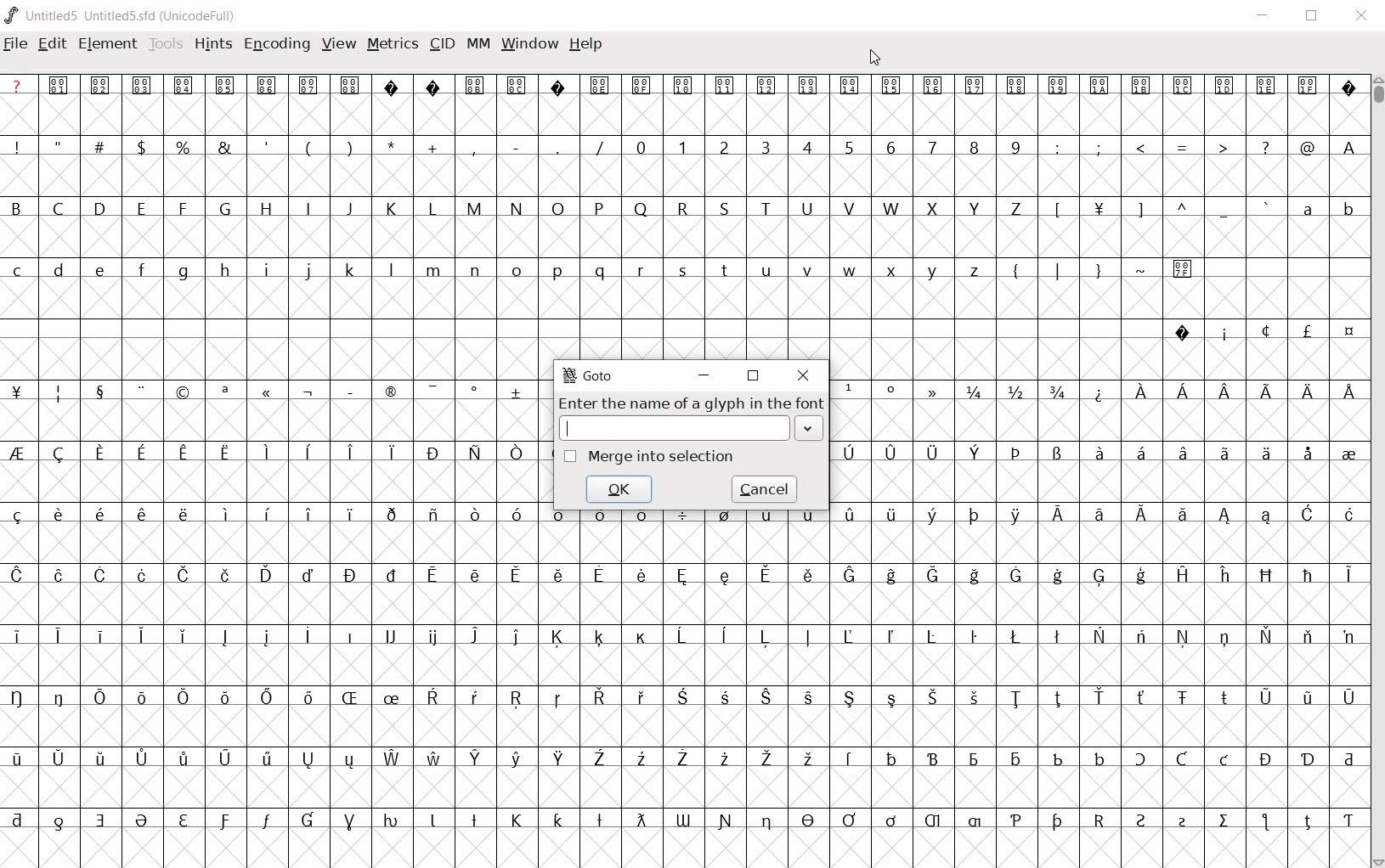 This screenshot has height=868, width=1385. I want to click on Symbol, so click(265, 637).